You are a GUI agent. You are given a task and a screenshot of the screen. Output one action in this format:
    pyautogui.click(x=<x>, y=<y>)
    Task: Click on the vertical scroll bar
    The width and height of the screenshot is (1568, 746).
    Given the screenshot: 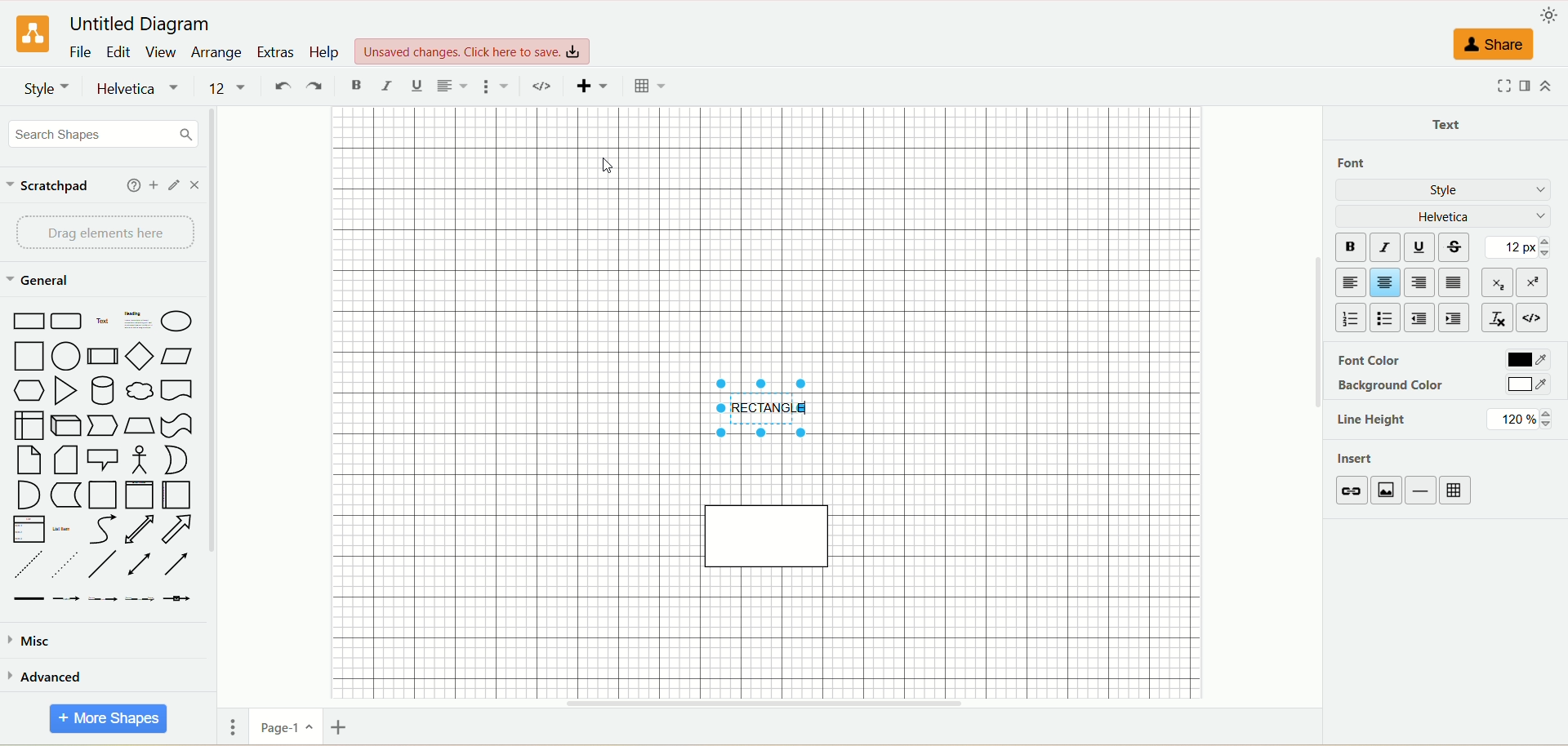 What is the action you would take?
    pyautogui.click(x=1314, y=399)
    